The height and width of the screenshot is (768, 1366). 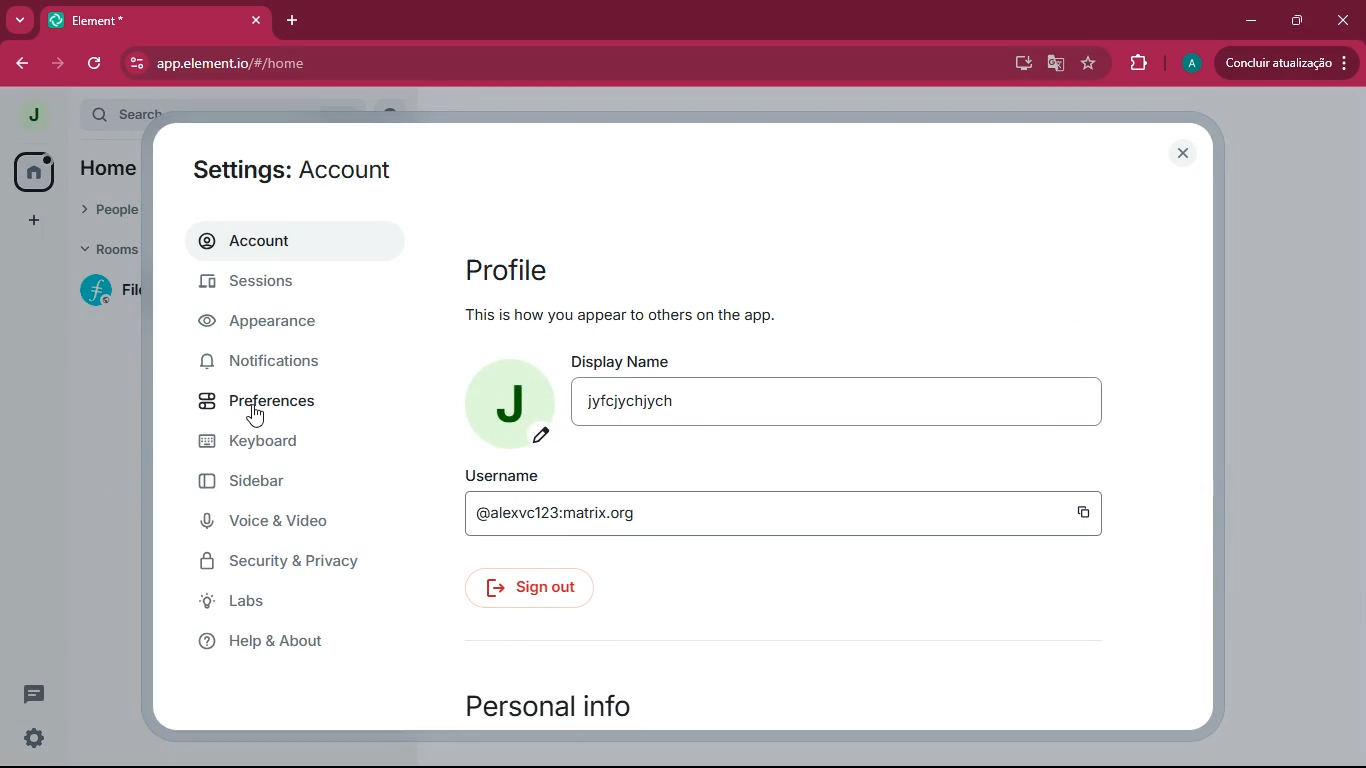 What do you see at coordinates (623, 362) in the screenshot?
I see `display name` at bounding box center [623, 362].